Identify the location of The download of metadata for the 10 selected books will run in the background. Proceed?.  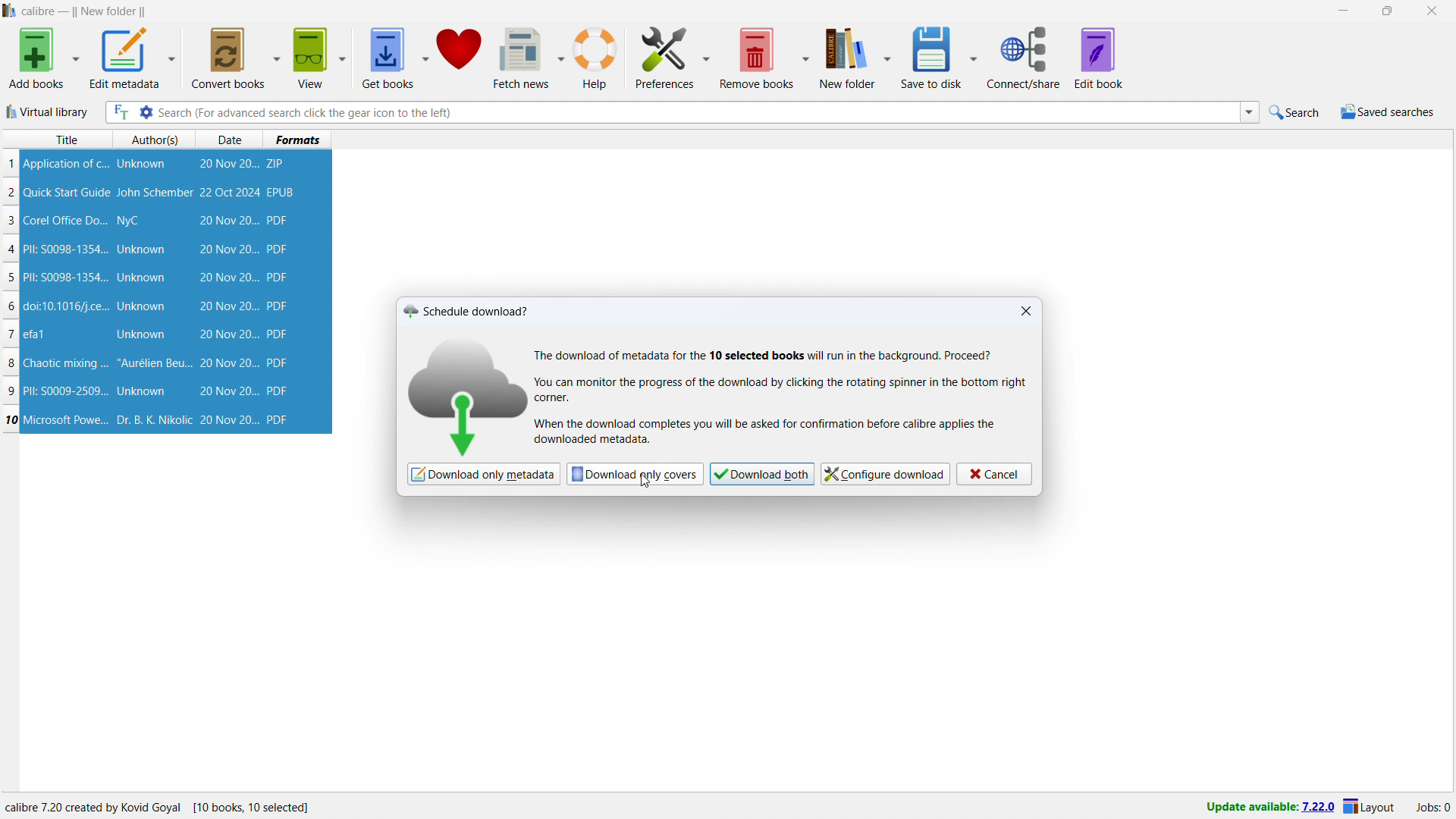
(766, 354).